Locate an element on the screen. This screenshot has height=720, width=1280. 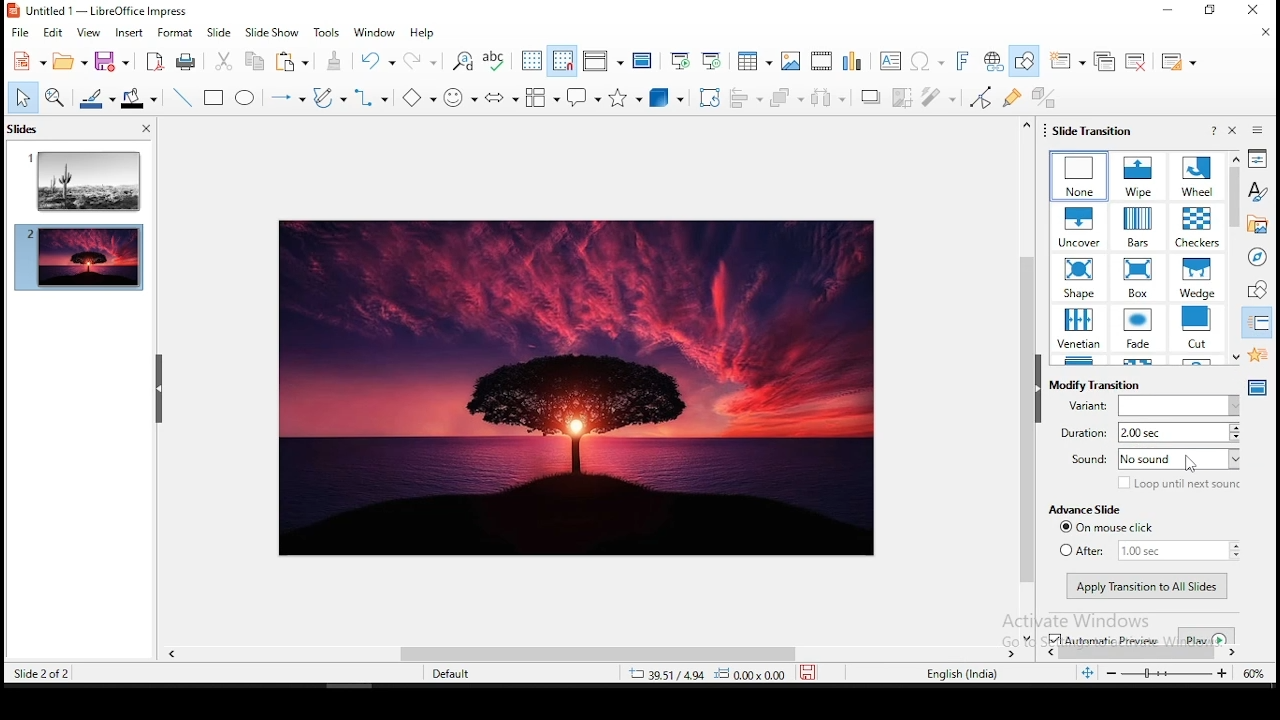
slide transition is located at coordinates (1259, 326).